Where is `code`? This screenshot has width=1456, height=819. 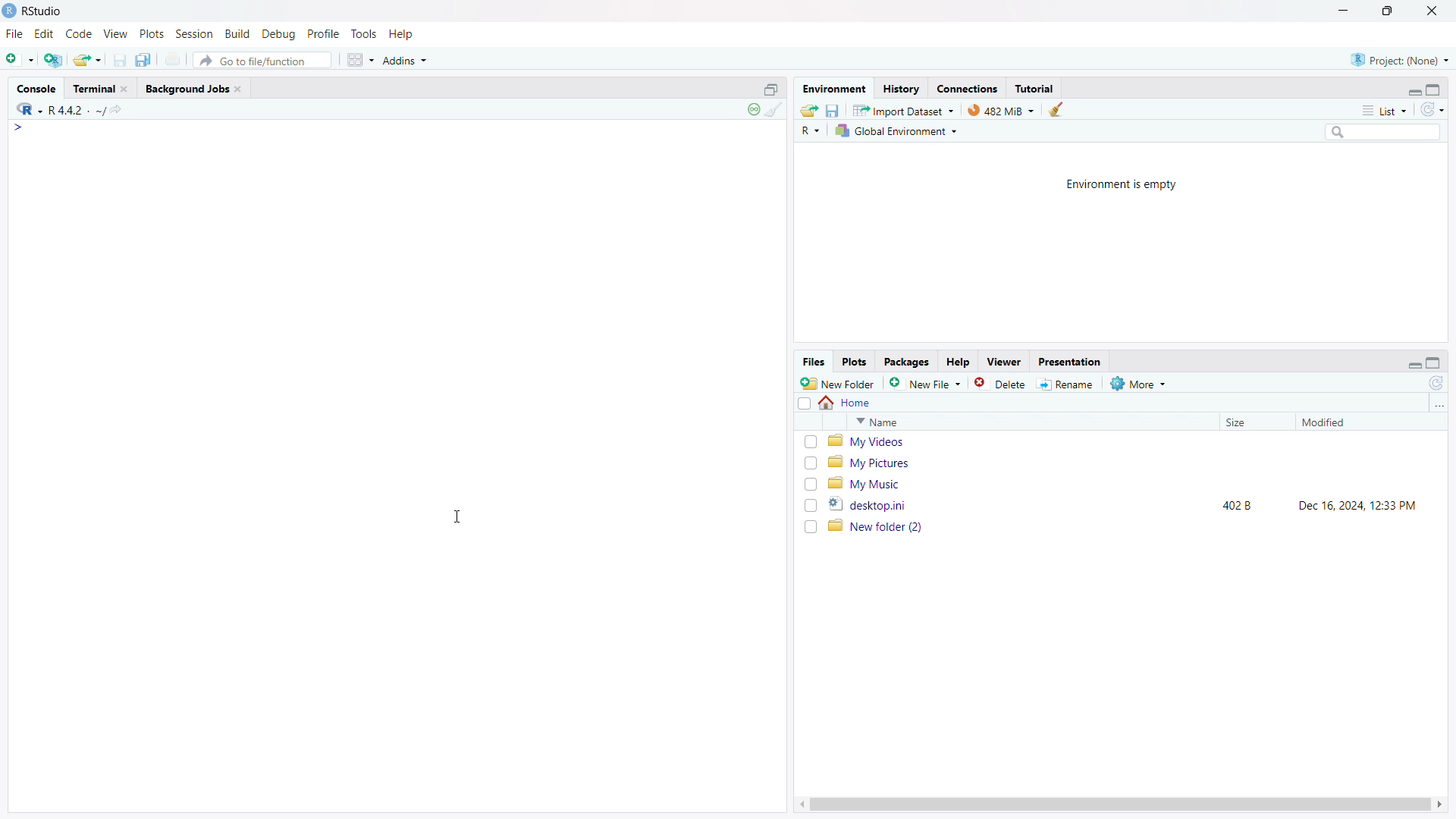 code is located at coordinates (79, 34).